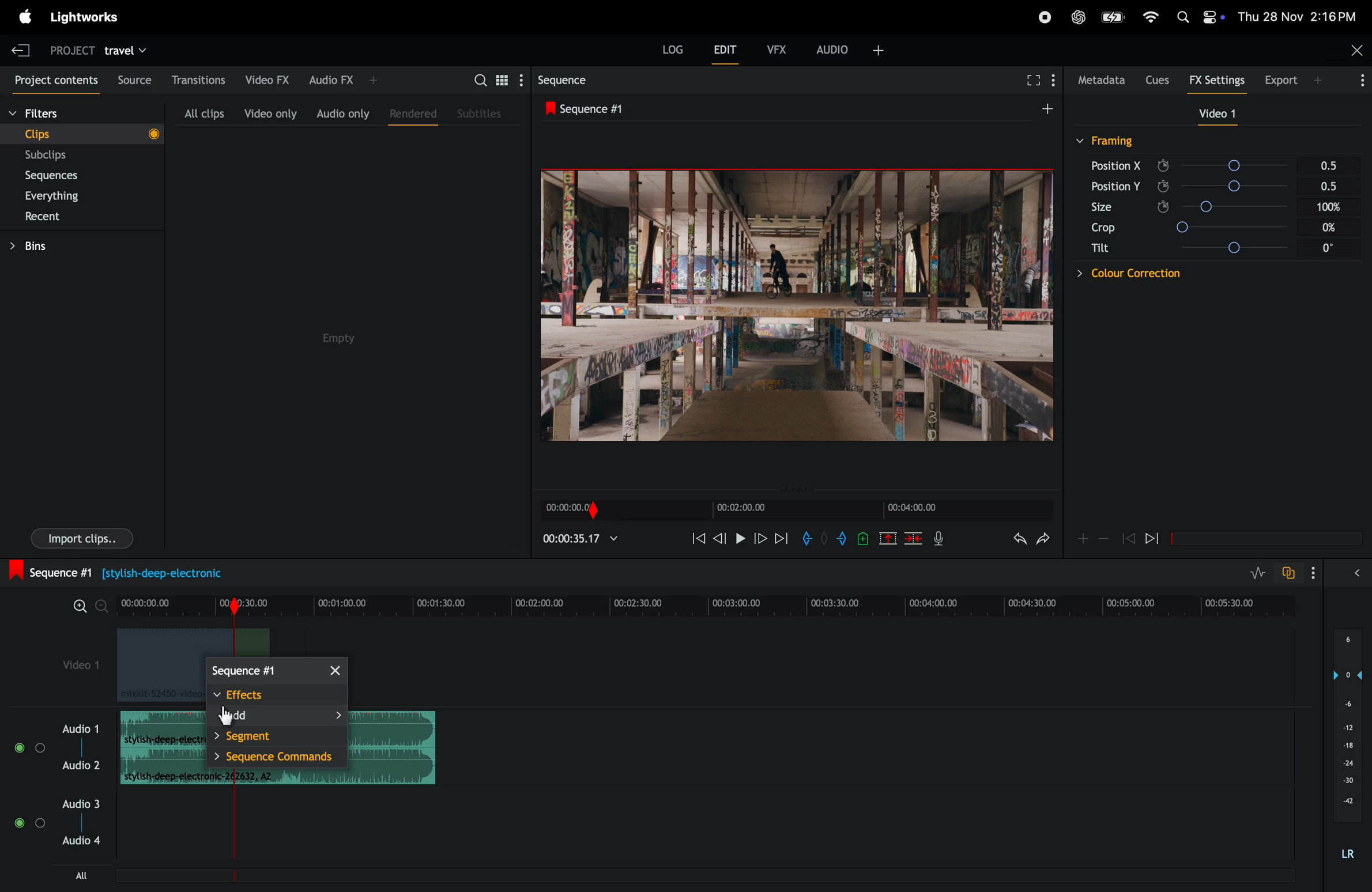 This screenshot has width=1372, height=892. I want to click on toggle auto track sync, so click(1291, 572).